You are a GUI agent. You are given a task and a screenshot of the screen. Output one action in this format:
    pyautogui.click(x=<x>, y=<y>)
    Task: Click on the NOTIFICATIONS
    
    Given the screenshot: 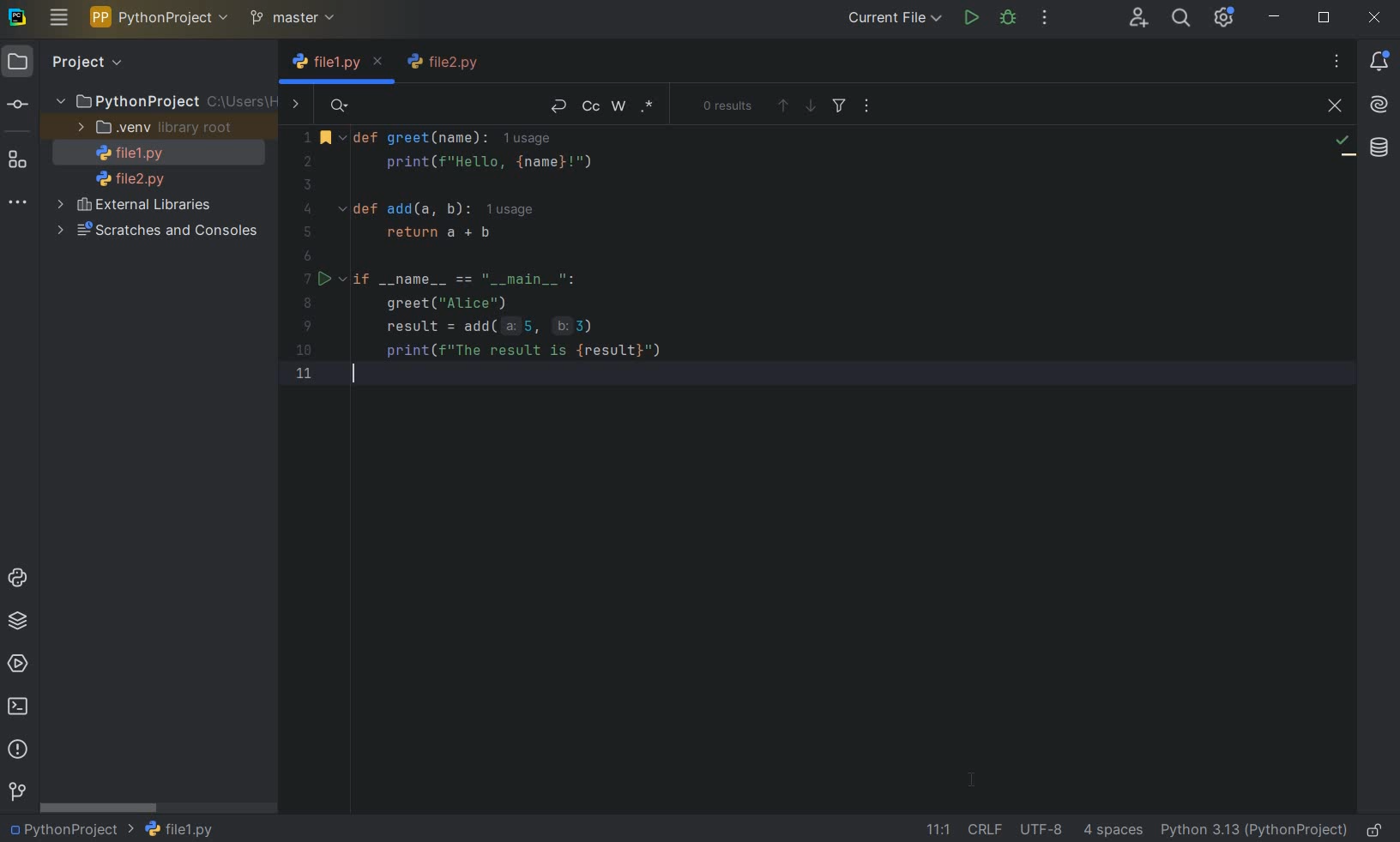 What is the action you would take?
    pyautogui.click(x=1379, y=62)
    